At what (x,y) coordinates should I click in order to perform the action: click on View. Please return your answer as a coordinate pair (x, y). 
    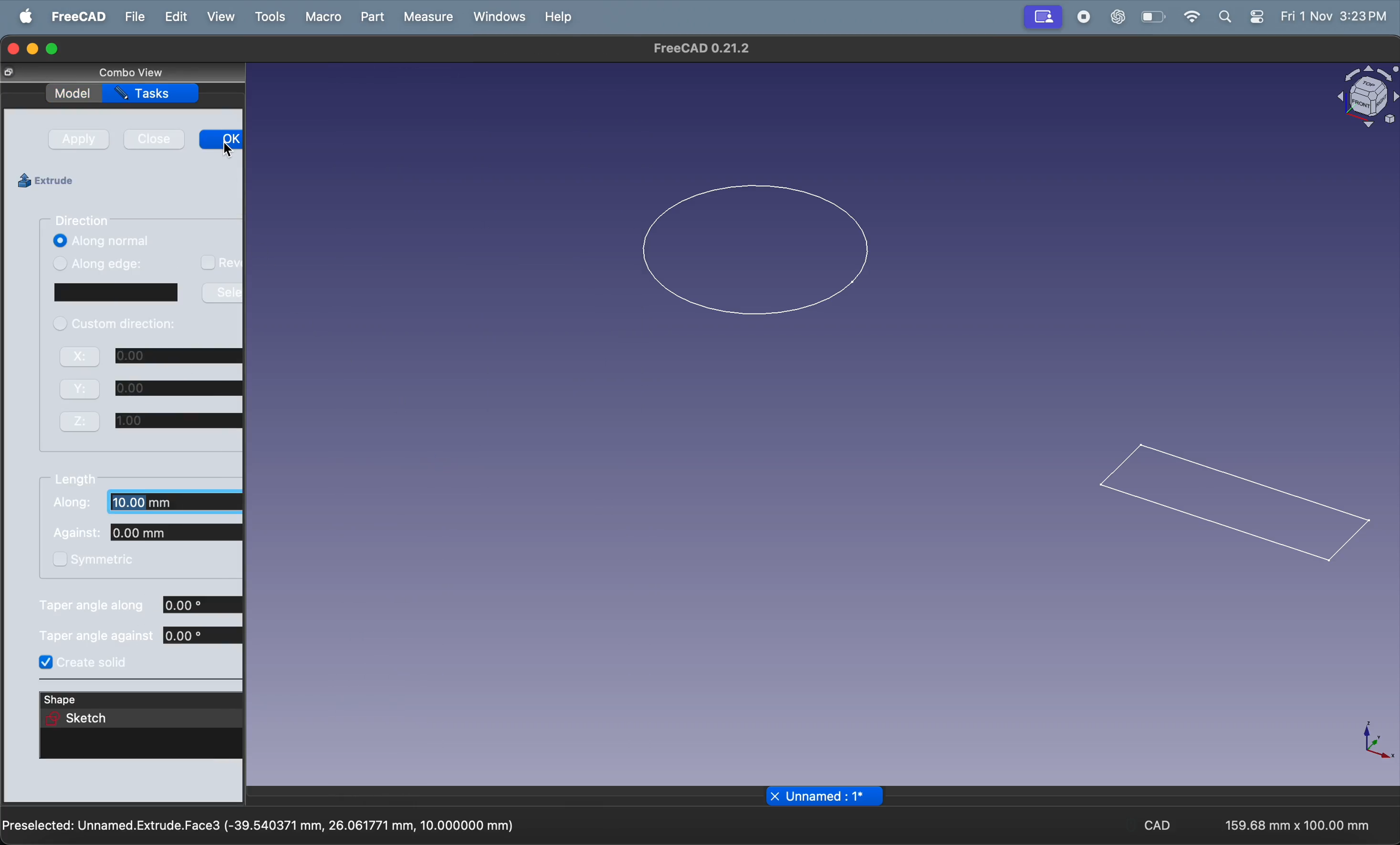
    Looking at the image, I should click on (220, 16).